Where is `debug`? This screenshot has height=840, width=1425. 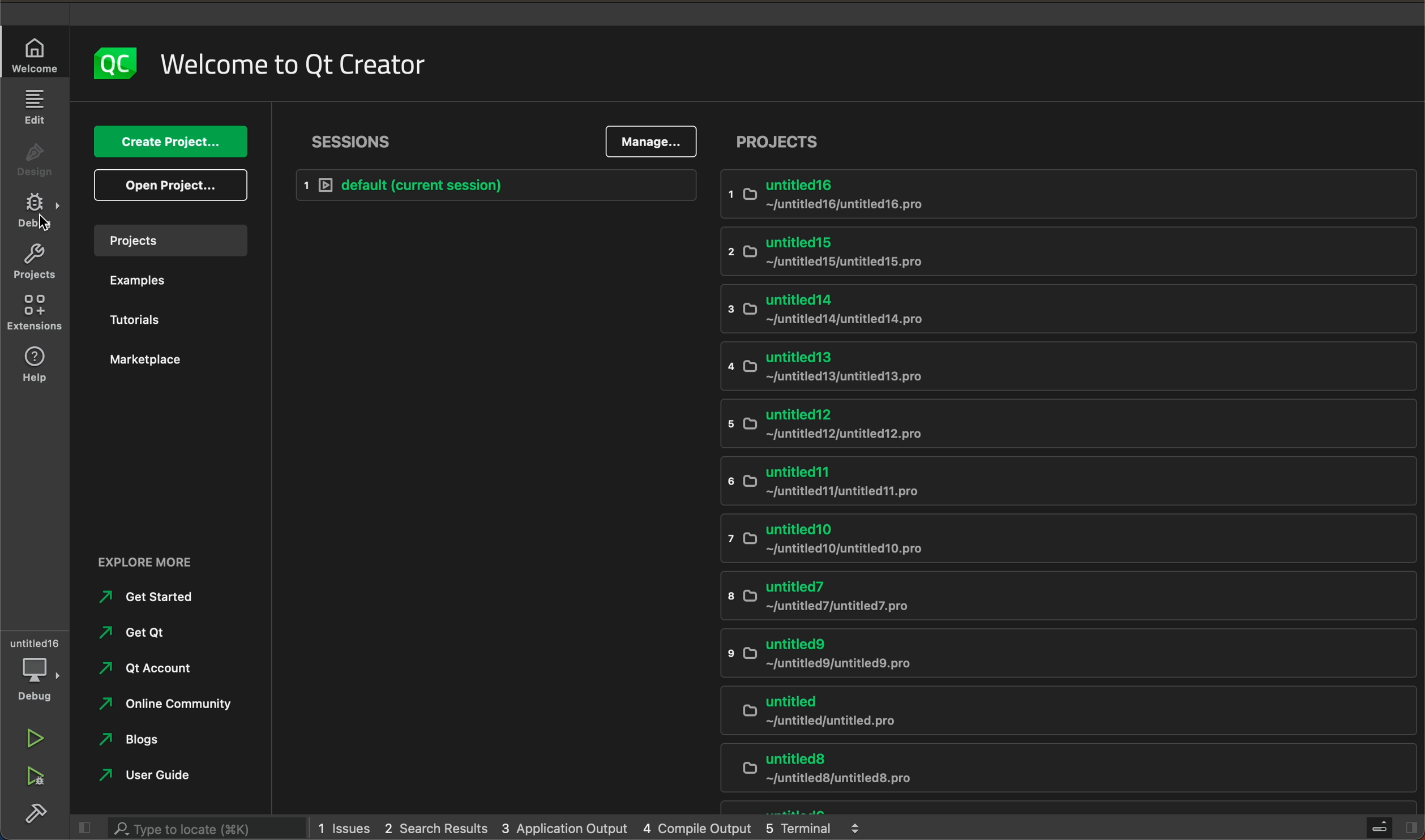 debug is located at coordinates (37, 668).